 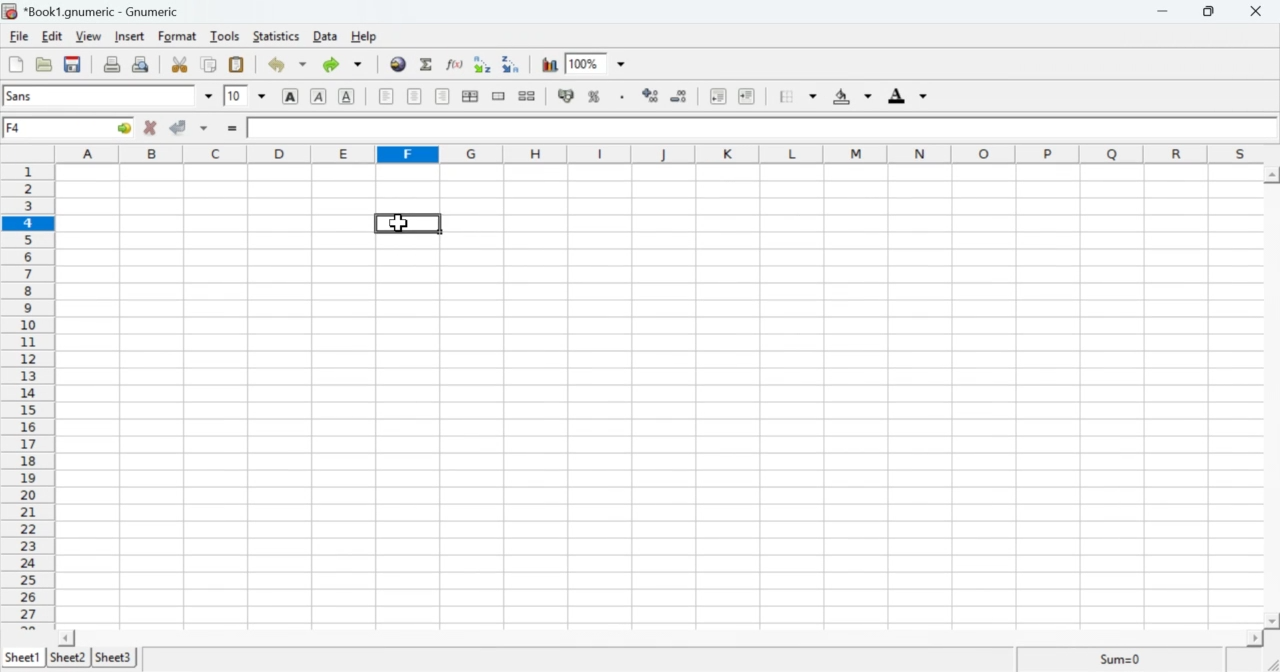 What do you see at coordinates (279, 64) in the screenshot?
I see `Undo` at bounding box center [279, 64].